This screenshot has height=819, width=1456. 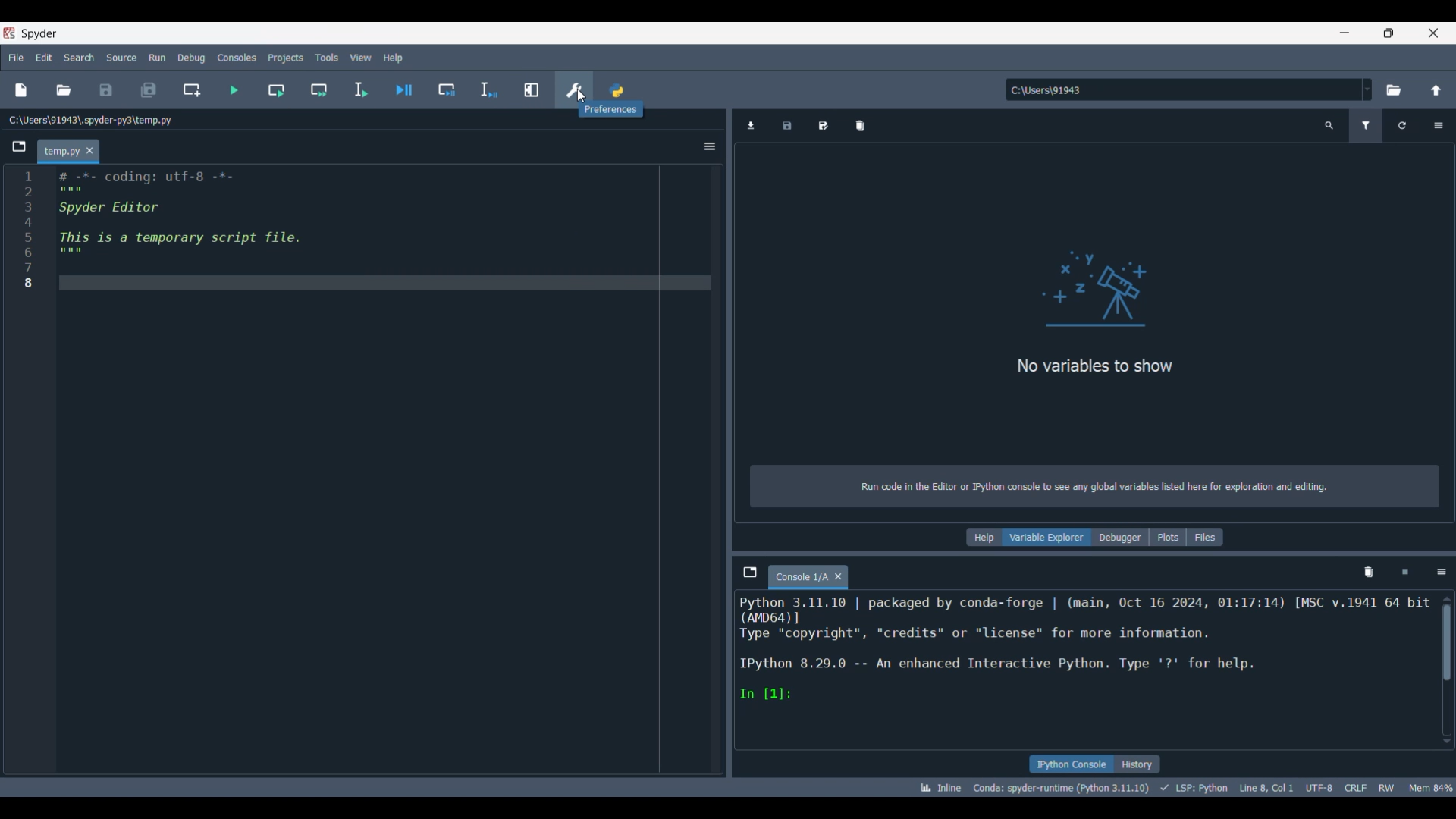 I want to click on Open file, so click(x=63, y=90).